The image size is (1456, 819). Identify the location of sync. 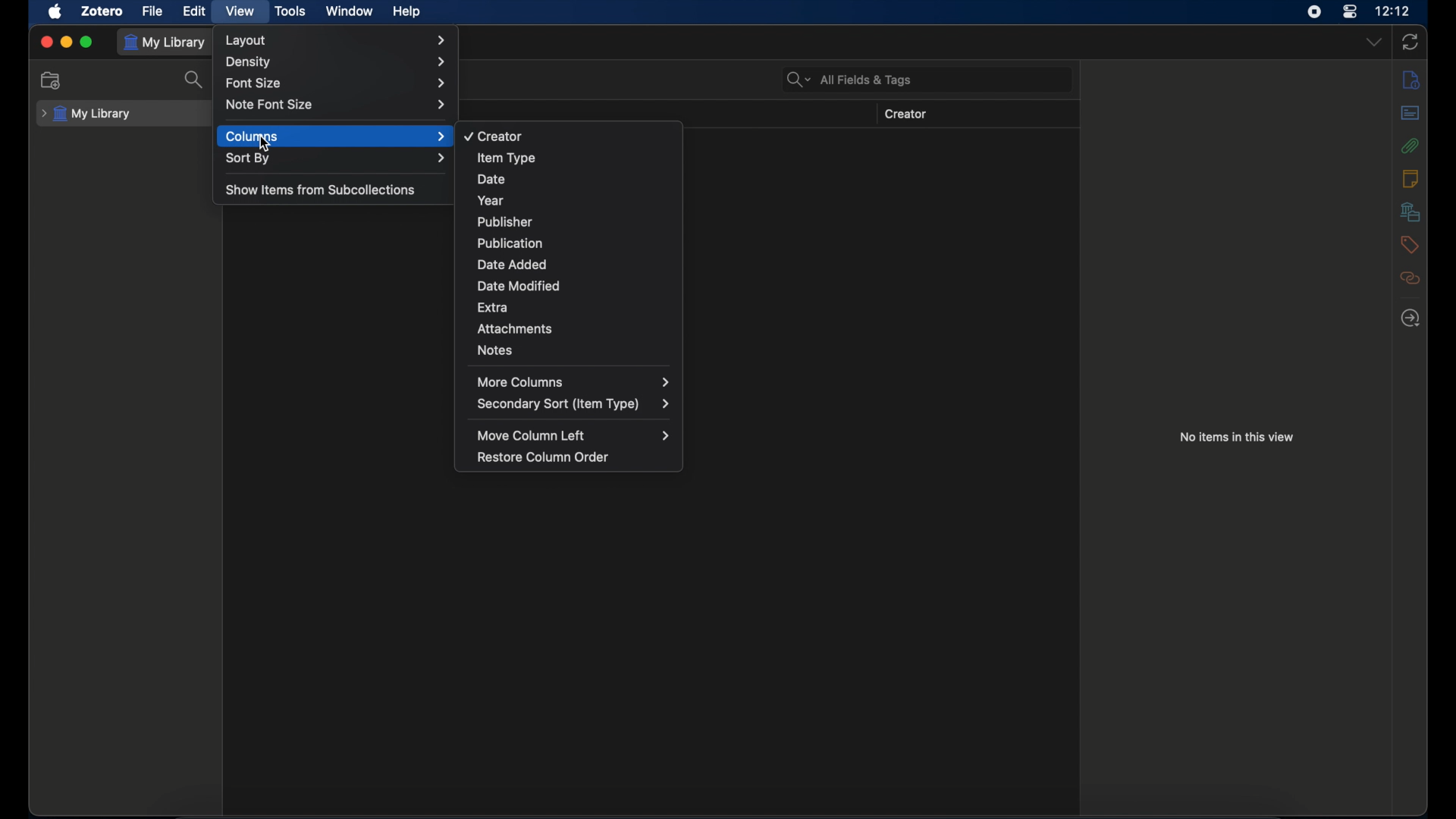
(1410, 42).